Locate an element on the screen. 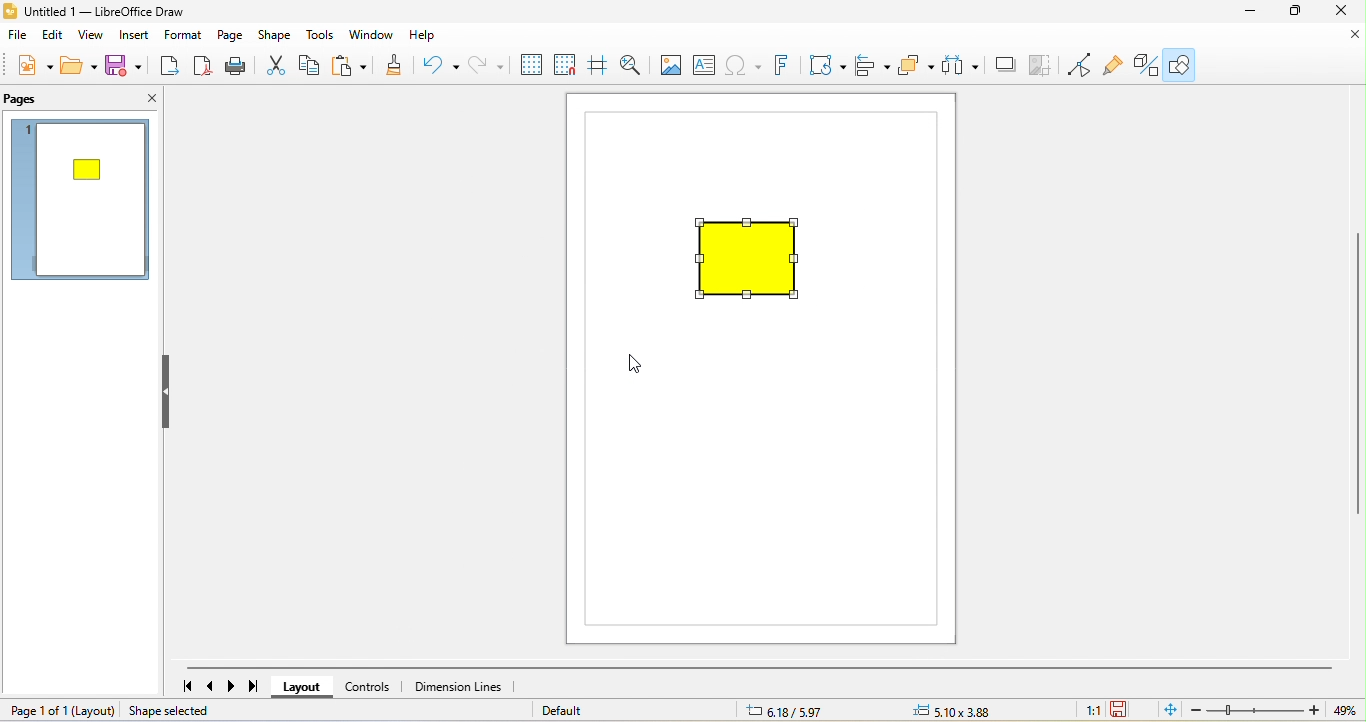  maximize is located at coordinates (1293, 13).